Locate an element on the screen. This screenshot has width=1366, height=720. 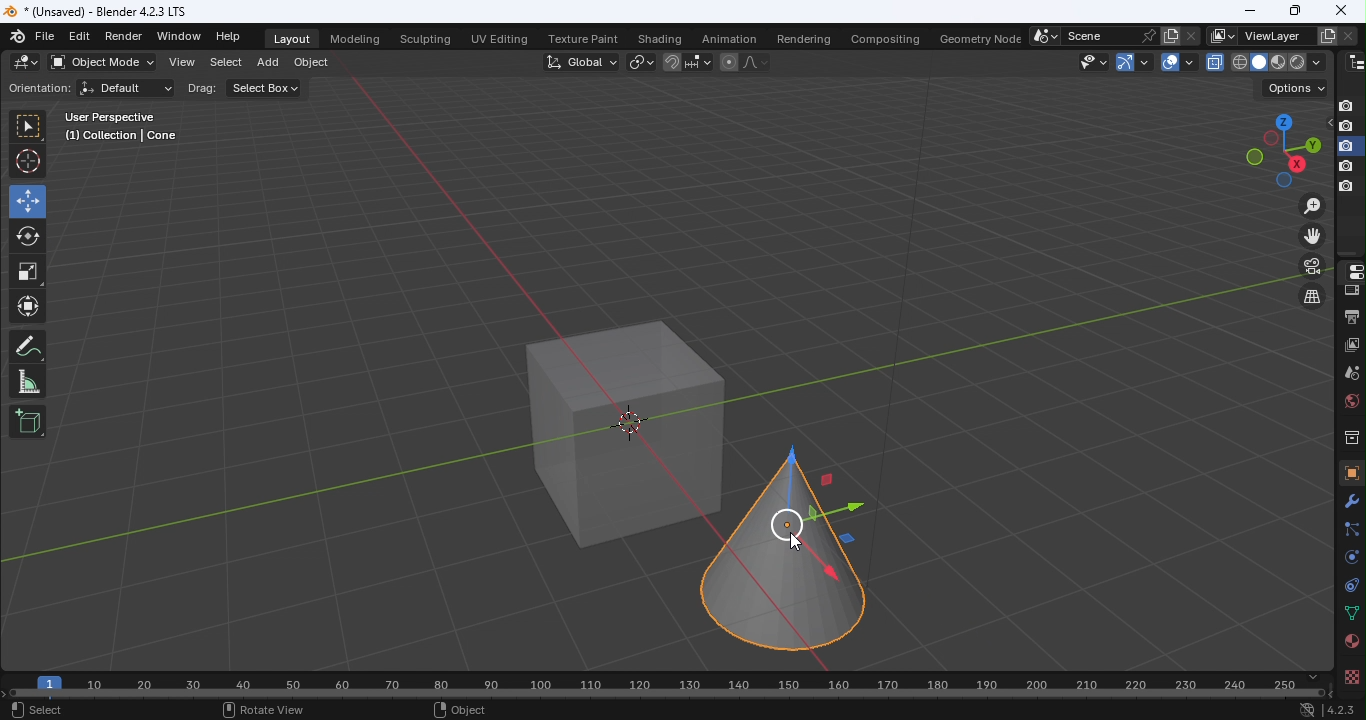
Help is located at coordinates (231, 36).